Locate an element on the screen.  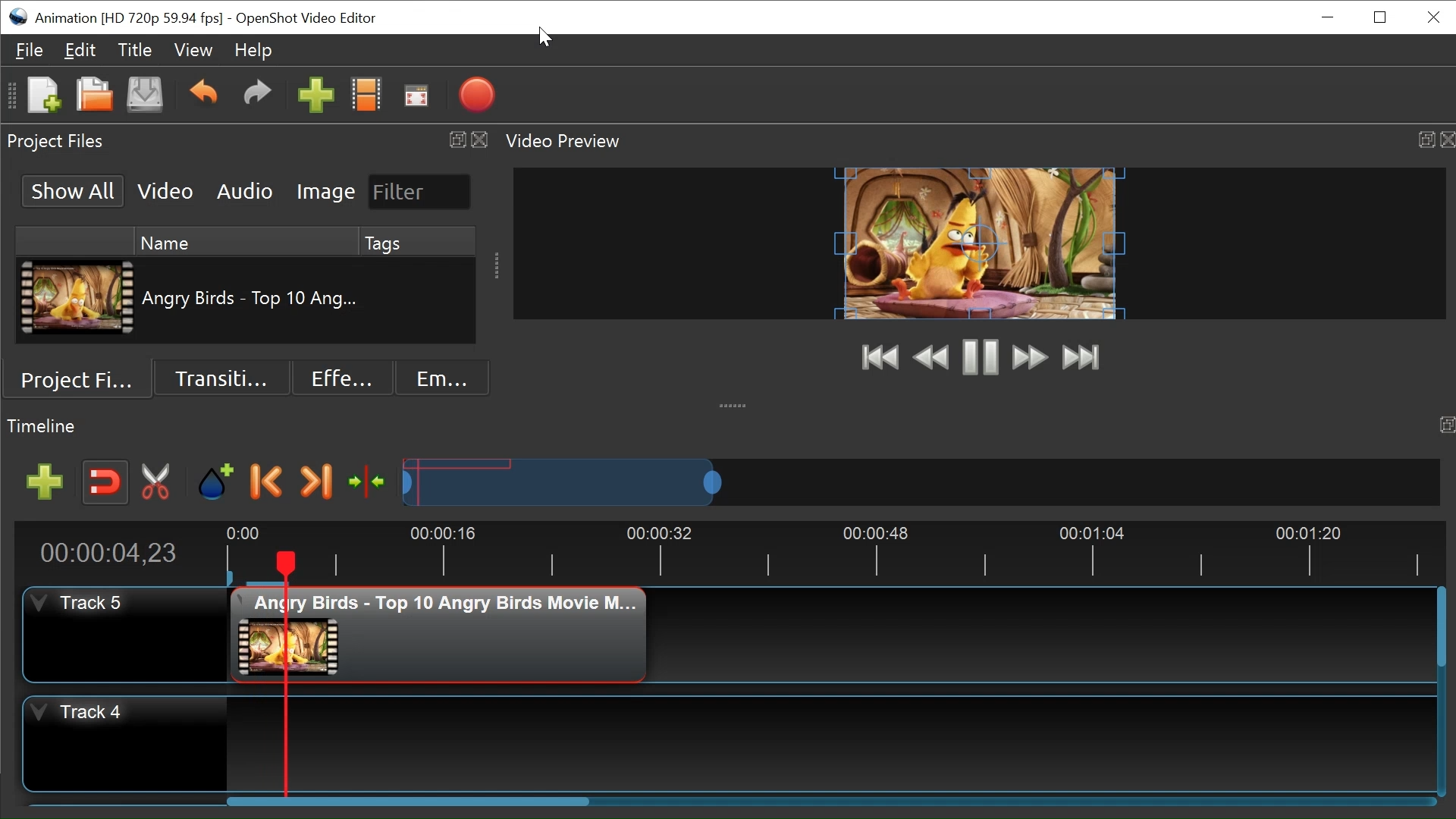
Next Marker is located at coordinates (318, 482).